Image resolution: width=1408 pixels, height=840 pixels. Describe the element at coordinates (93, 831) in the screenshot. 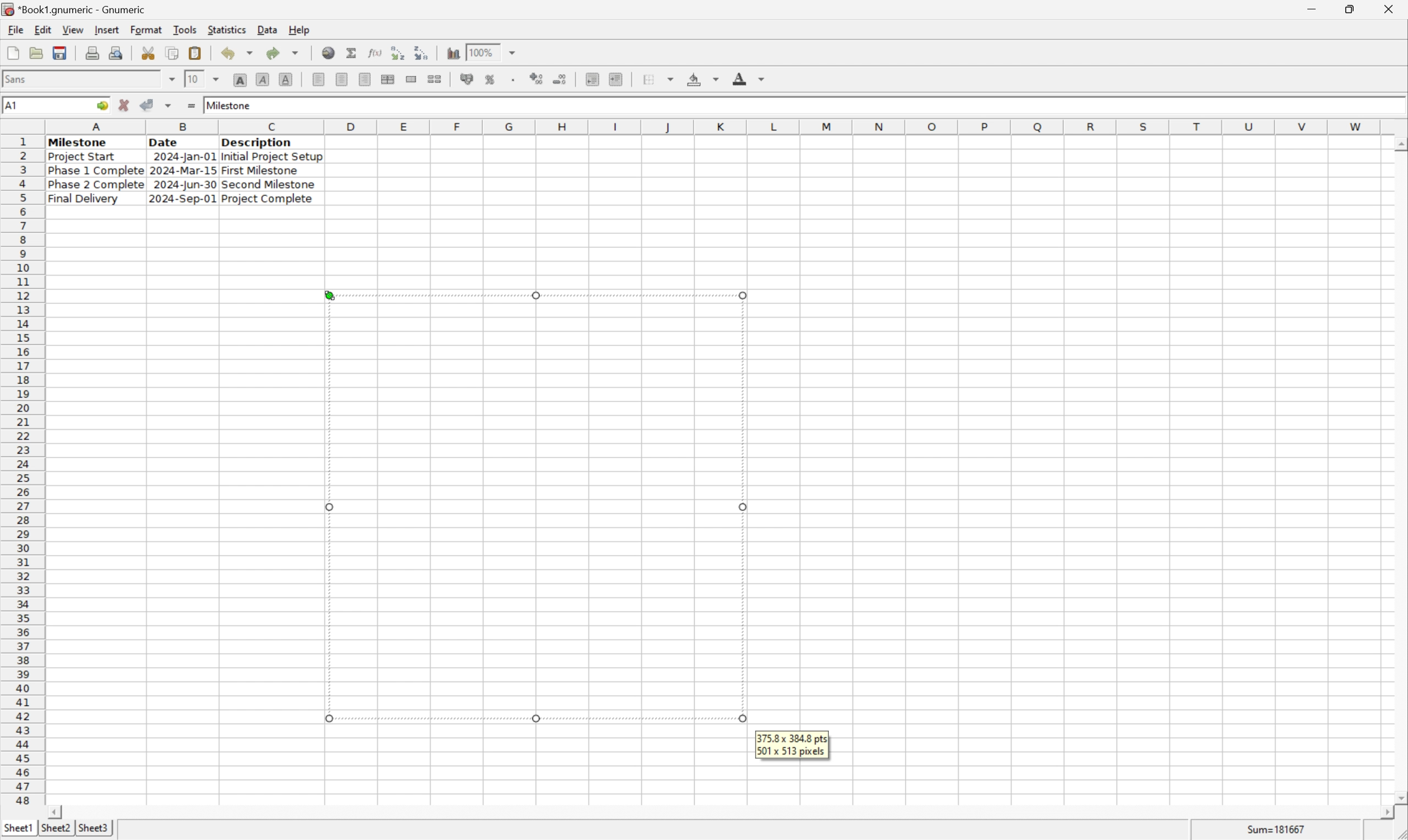

I see `sheet3` at that location.